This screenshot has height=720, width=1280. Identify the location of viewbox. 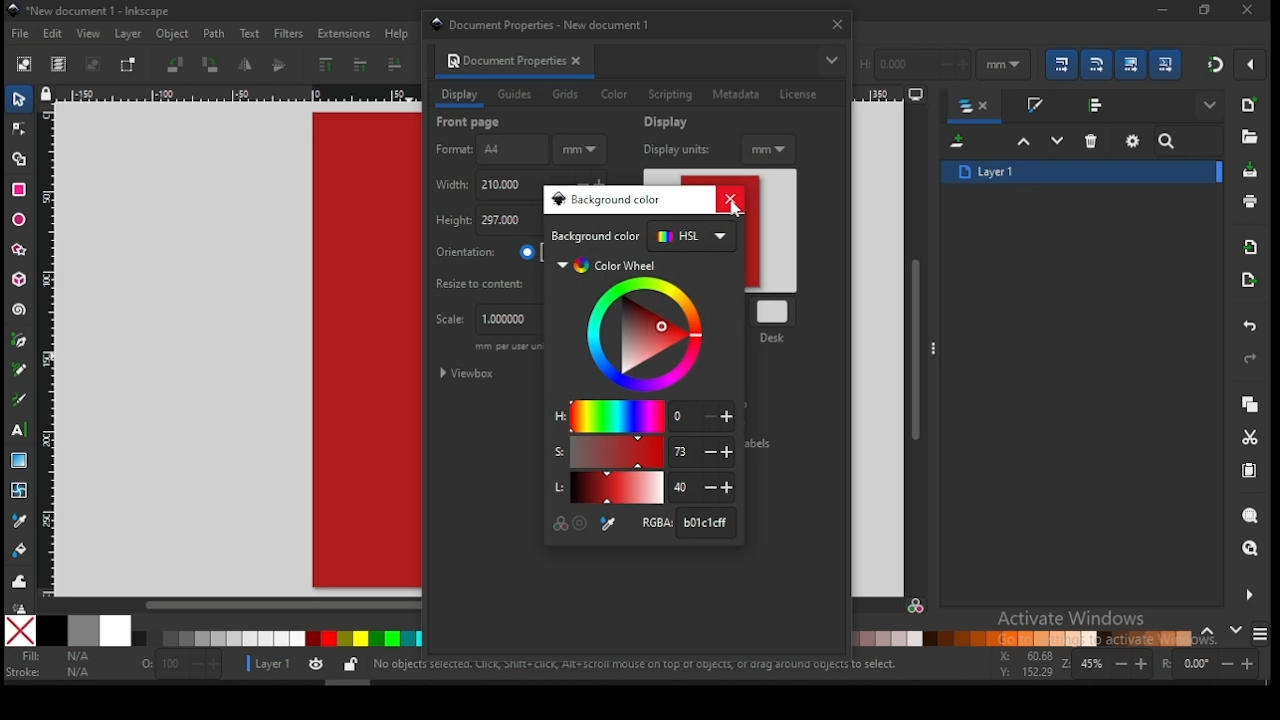
(469, 374).